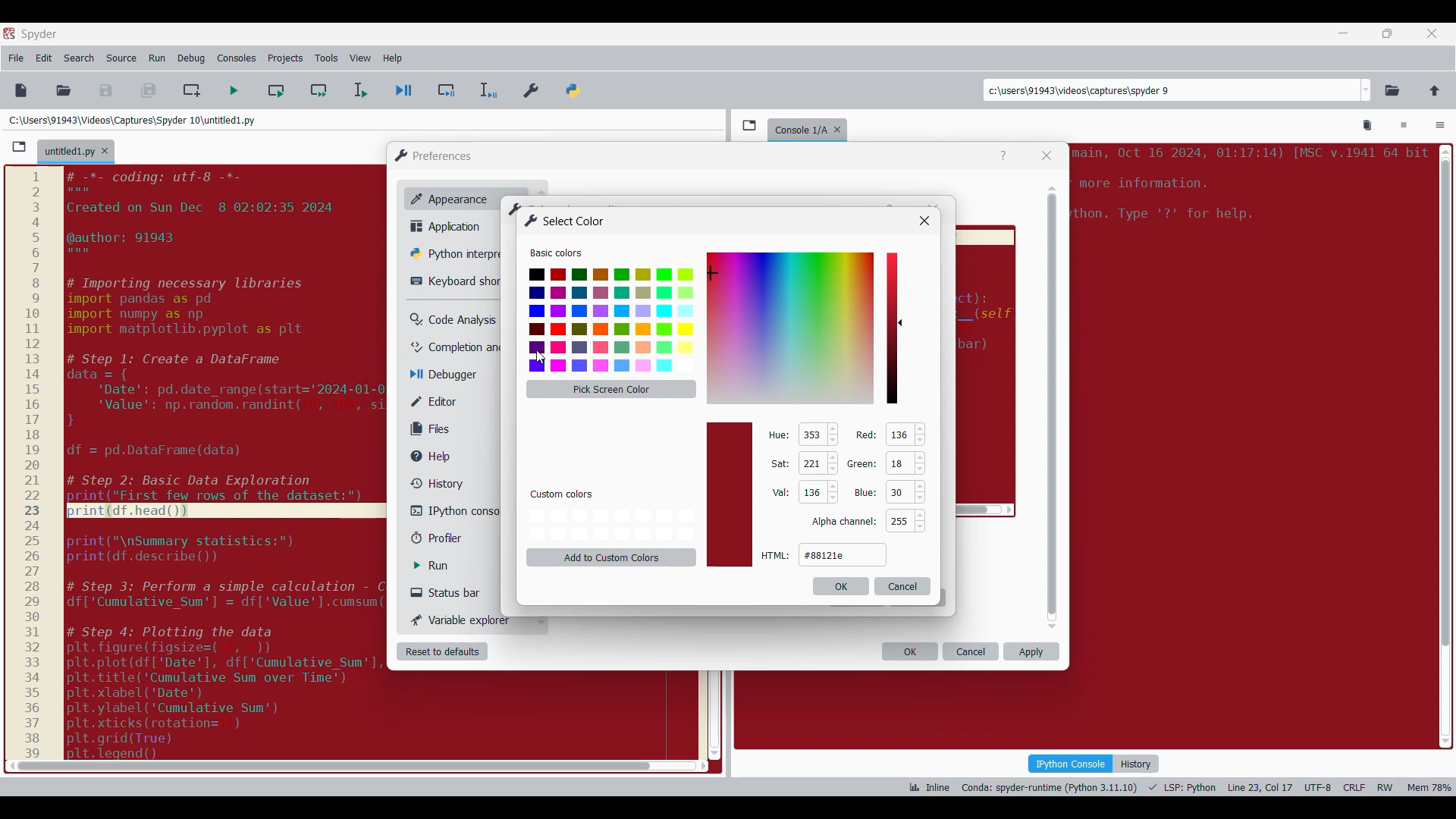  Describe the element at coordinates (1367, 90) in the screenshot. I see `Location options` at that location.